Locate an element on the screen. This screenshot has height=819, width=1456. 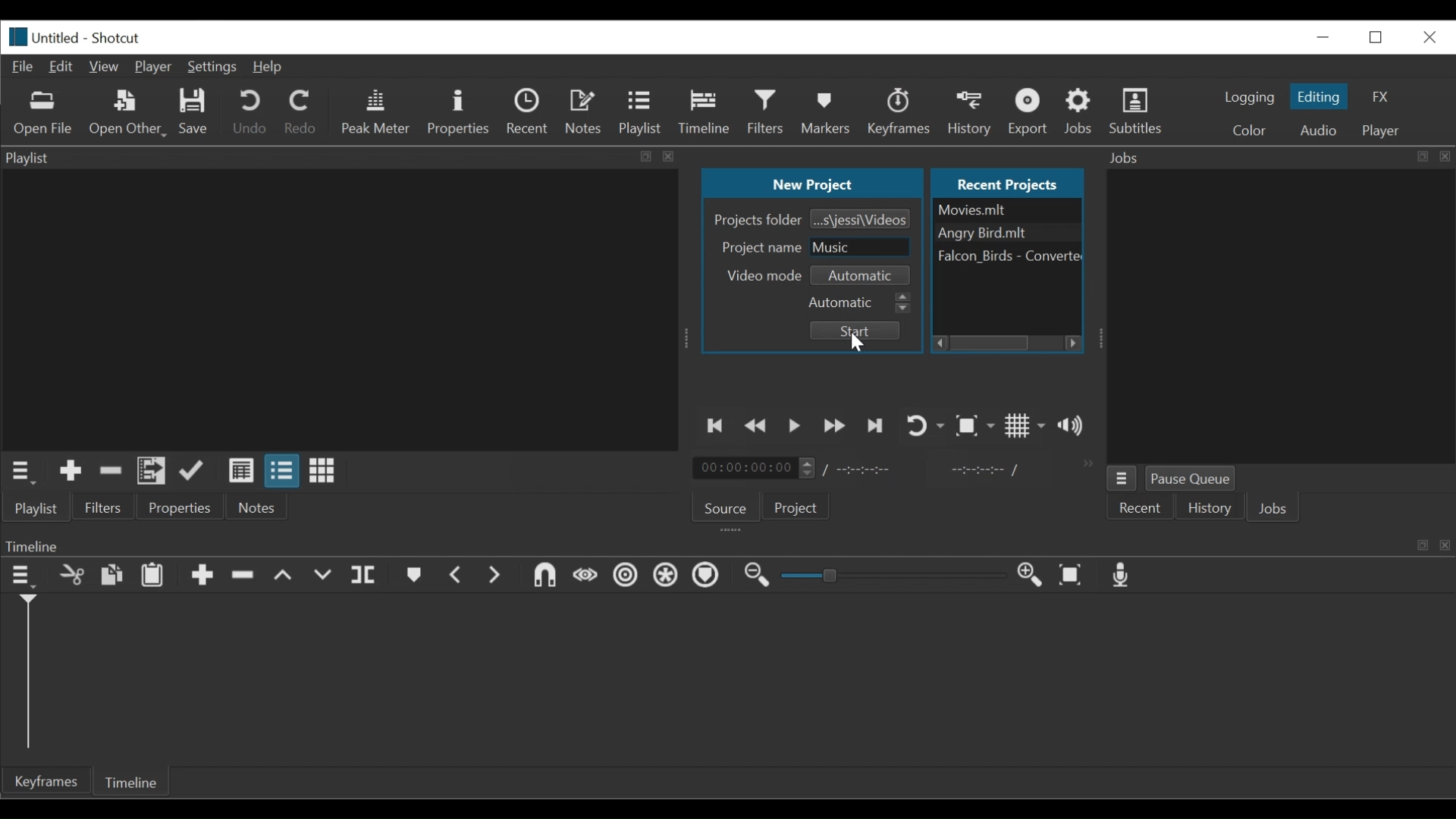
Ripple is located at coordinates (624, 576).